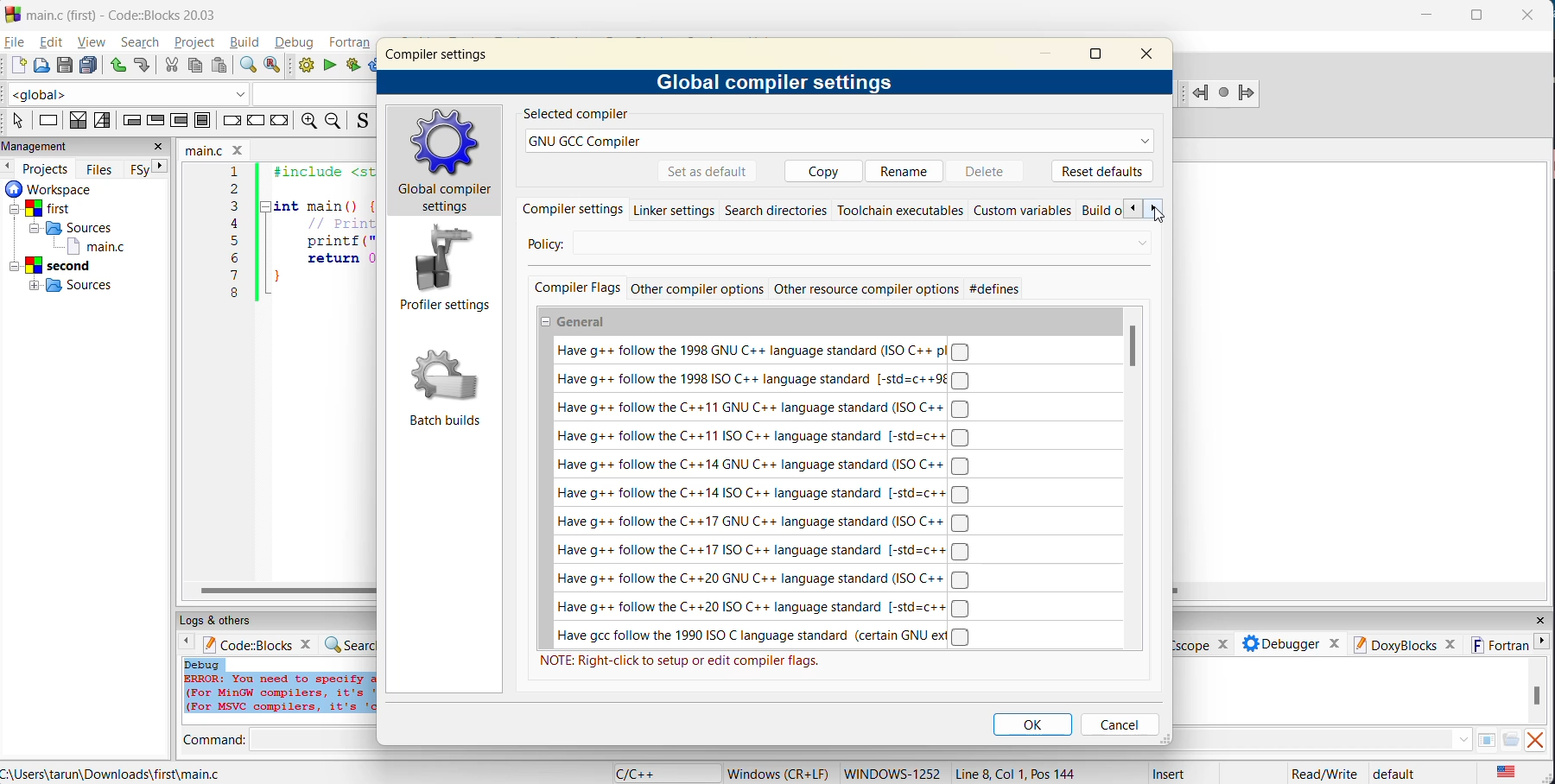 Image resolution: width=1555 pixels, height=784 pixels. Describe the element at coordinates (155, 121) in the screenshot. I see `exit condition loop` at that location.